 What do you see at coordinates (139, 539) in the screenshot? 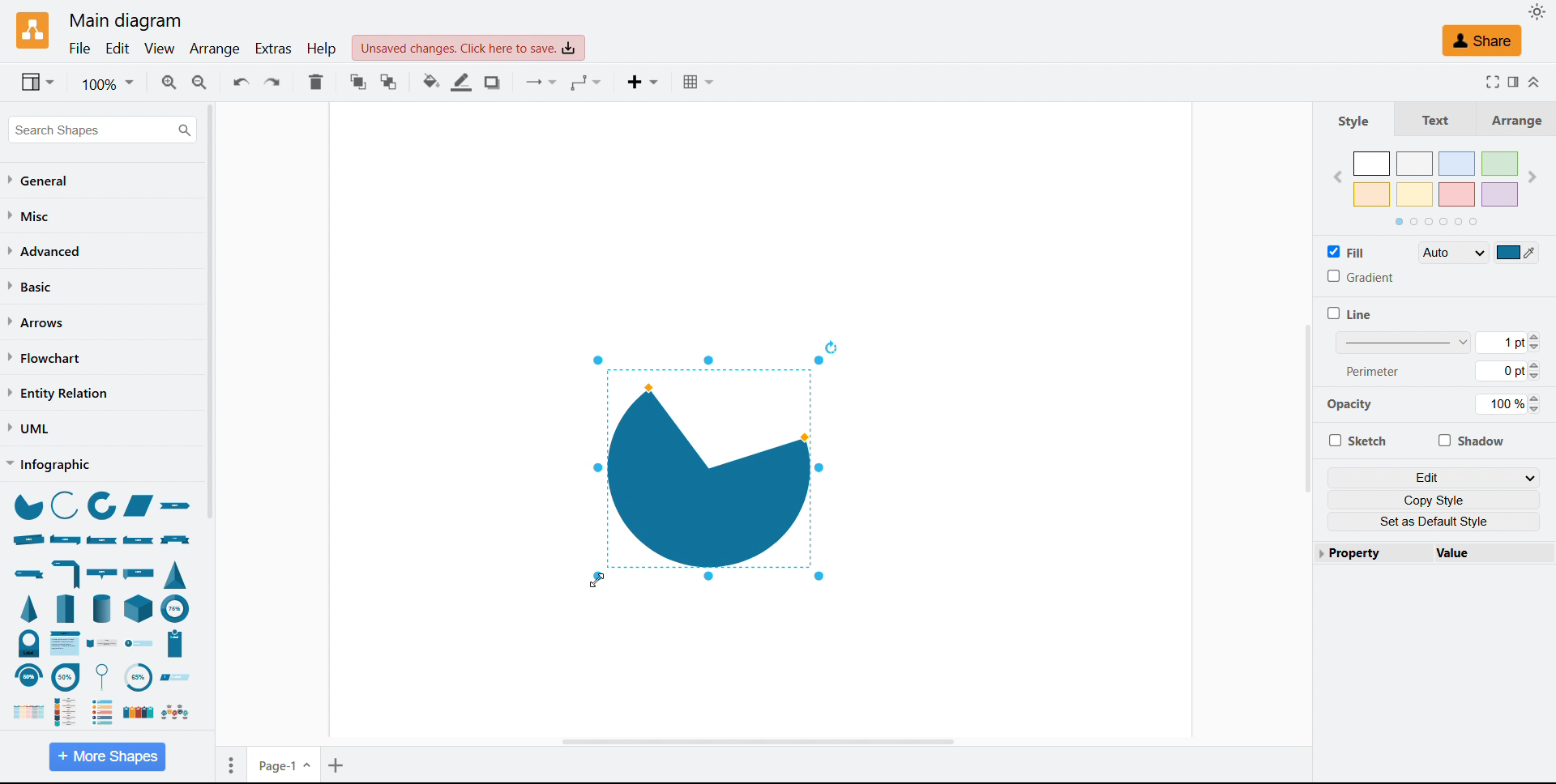
I see `ribbon back fold` at bounding box center [139, 539].